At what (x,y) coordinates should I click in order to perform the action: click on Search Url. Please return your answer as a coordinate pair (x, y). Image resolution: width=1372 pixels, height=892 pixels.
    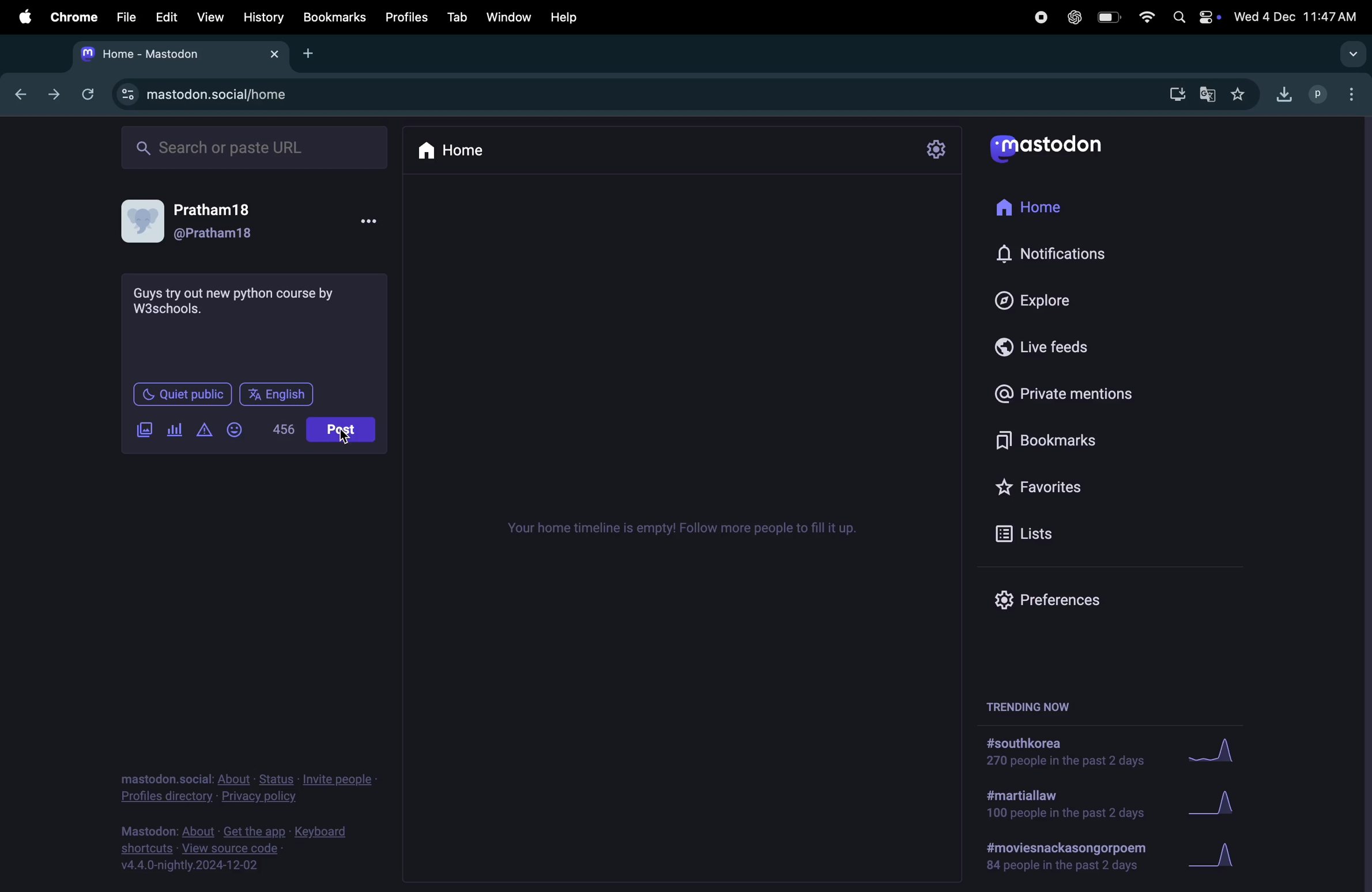
    Looking at the image, I should click on (257, 148).